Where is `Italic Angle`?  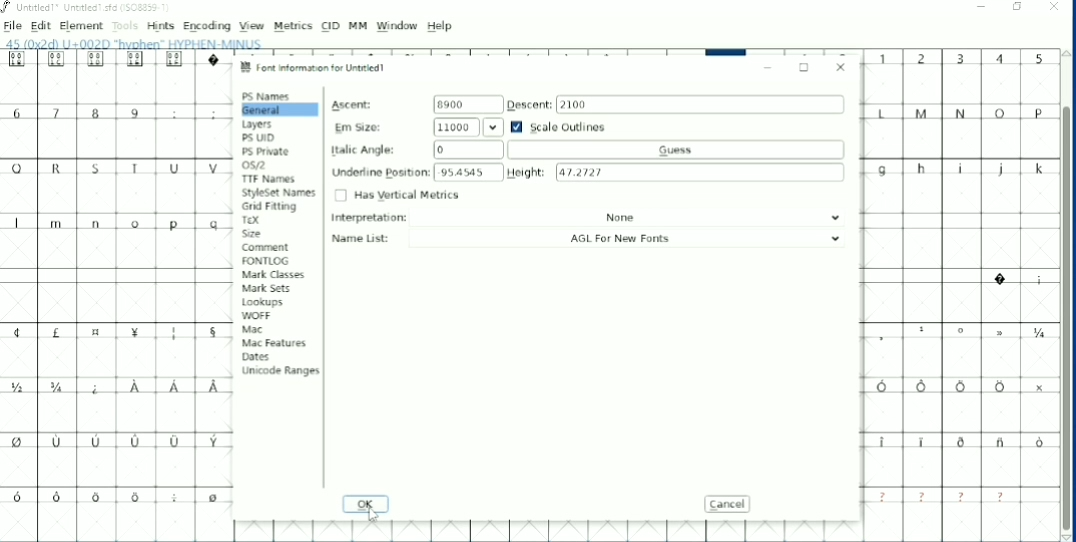
Italic Angle is located at coordinates (579, 149).